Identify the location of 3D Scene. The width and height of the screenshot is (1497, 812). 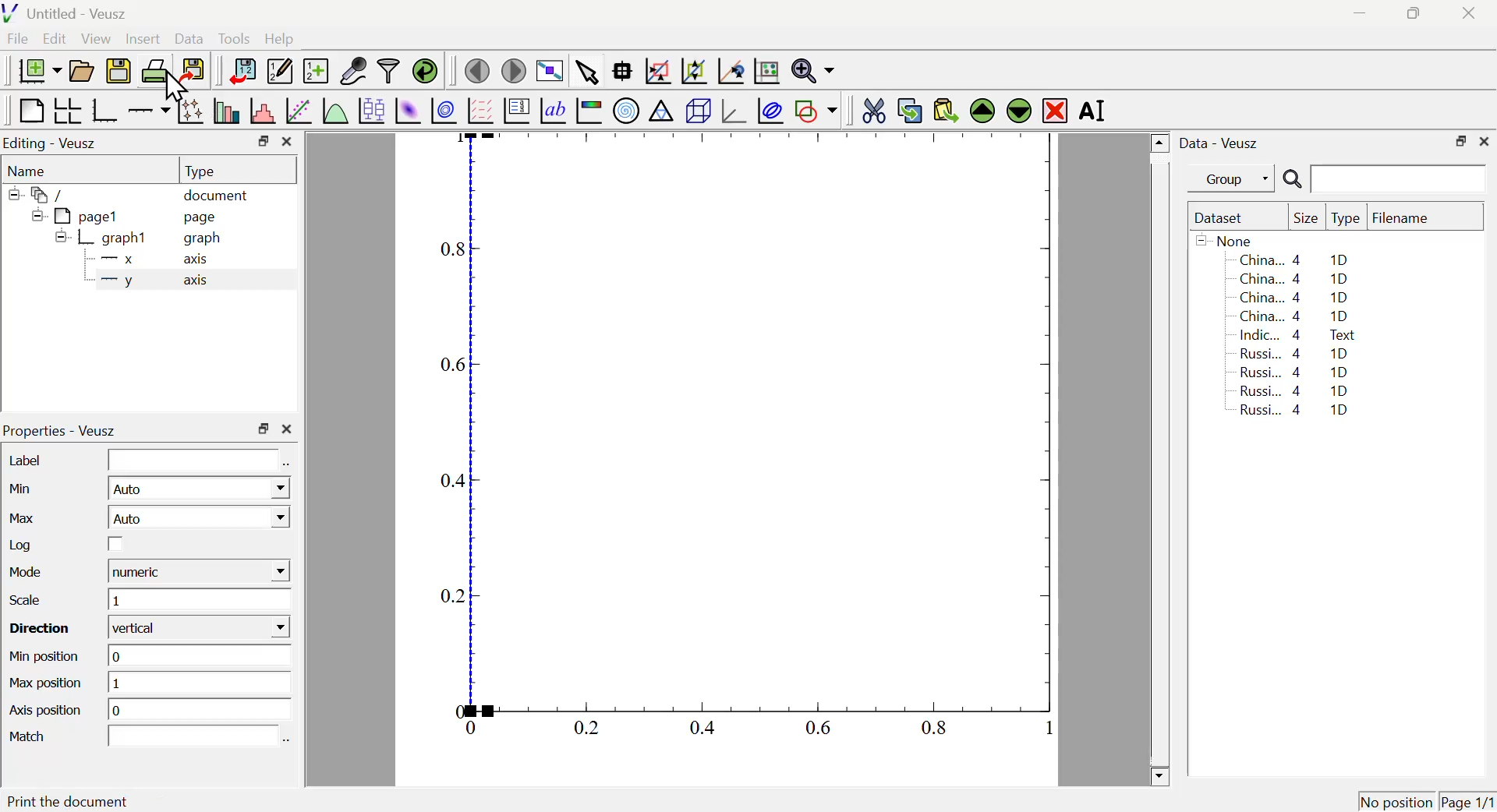
(698, 111).